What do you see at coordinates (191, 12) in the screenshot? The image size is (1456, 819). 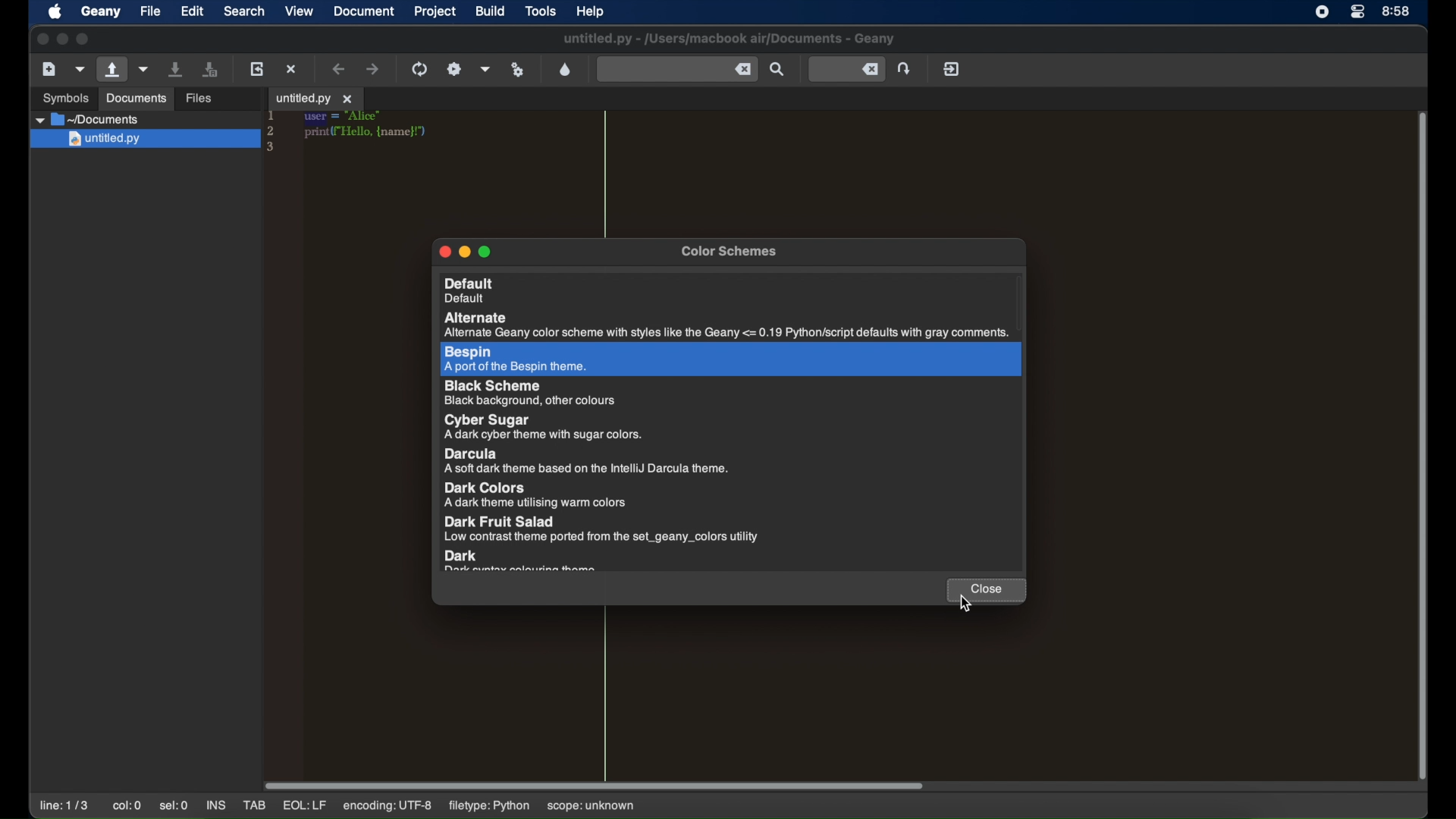 I see `edit` at bounding box center [191, 12].